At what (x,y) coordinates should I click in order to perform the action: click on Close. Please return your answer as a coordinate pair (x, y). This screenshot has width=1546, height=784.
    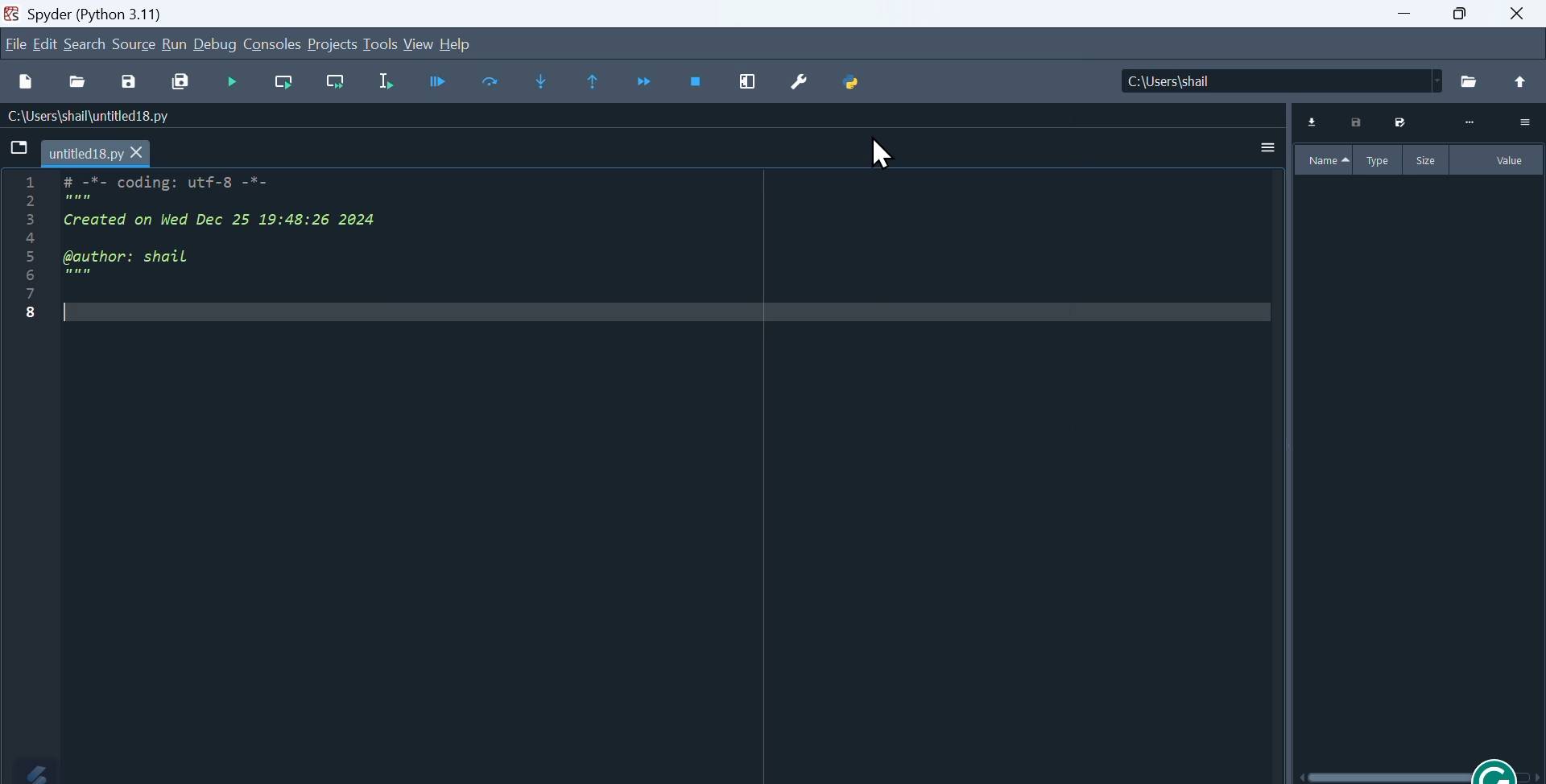
    Looking at the image, I should click on (1515, 15).